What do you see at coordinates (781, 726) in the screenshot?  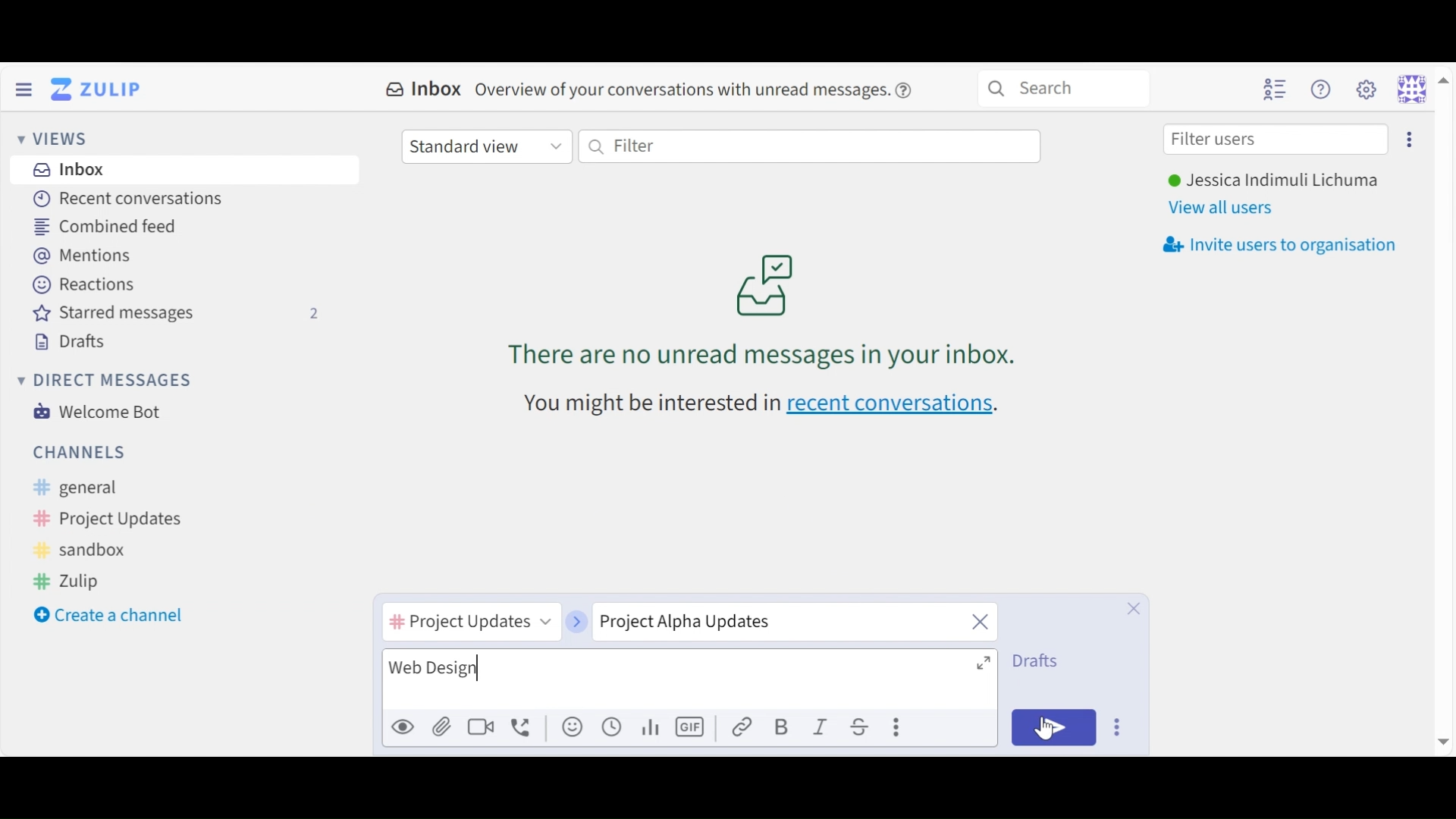 I see `Bold` at bounding box center [781, 726].